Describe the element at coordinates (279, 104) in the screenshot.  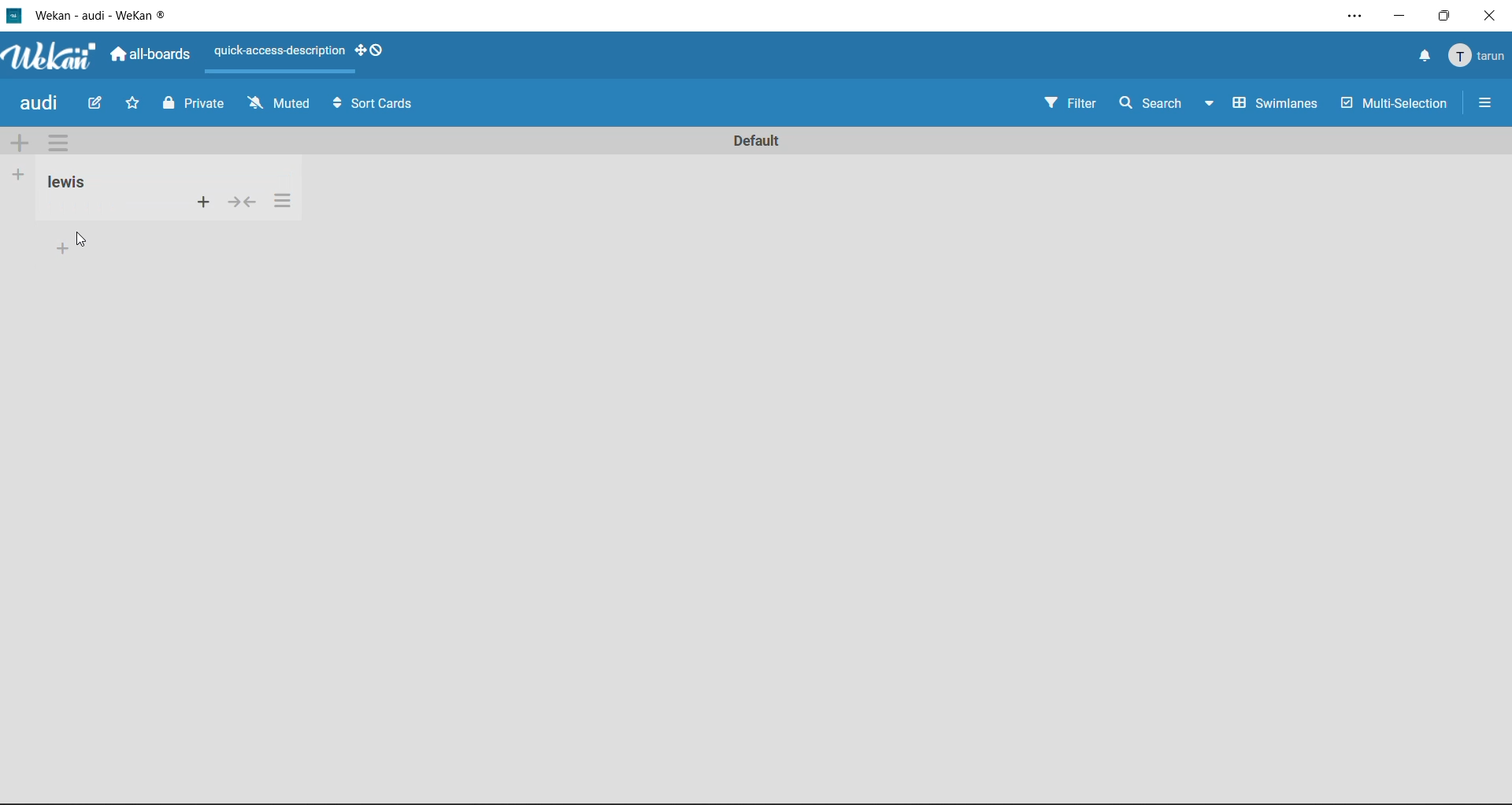
I see `muted` at that location.